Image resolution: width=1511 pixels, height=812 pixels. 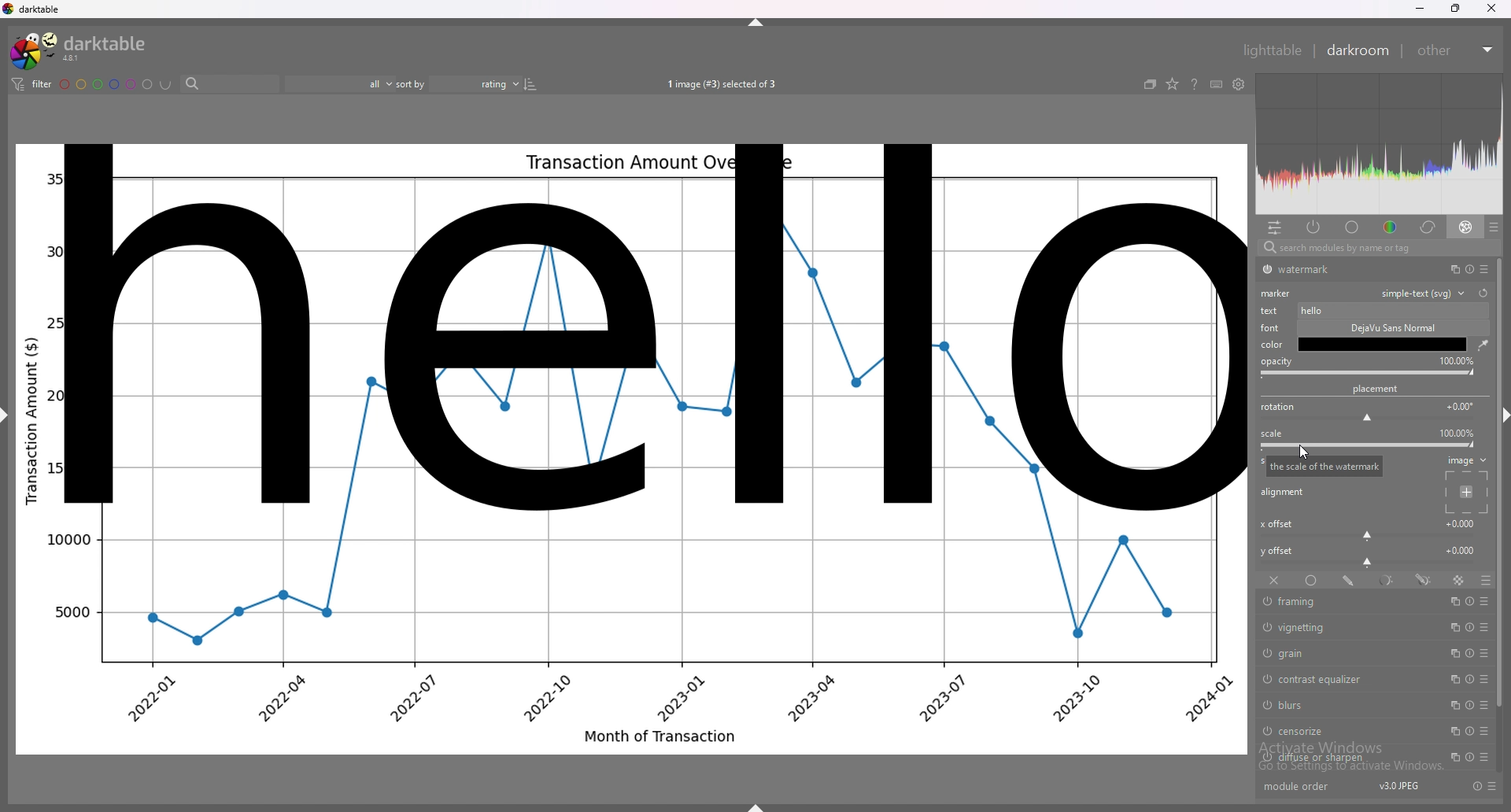 What do you see at coordinates (1377, 389) in the screenshot?
I see `placement` at bounding box center [1377, 389].